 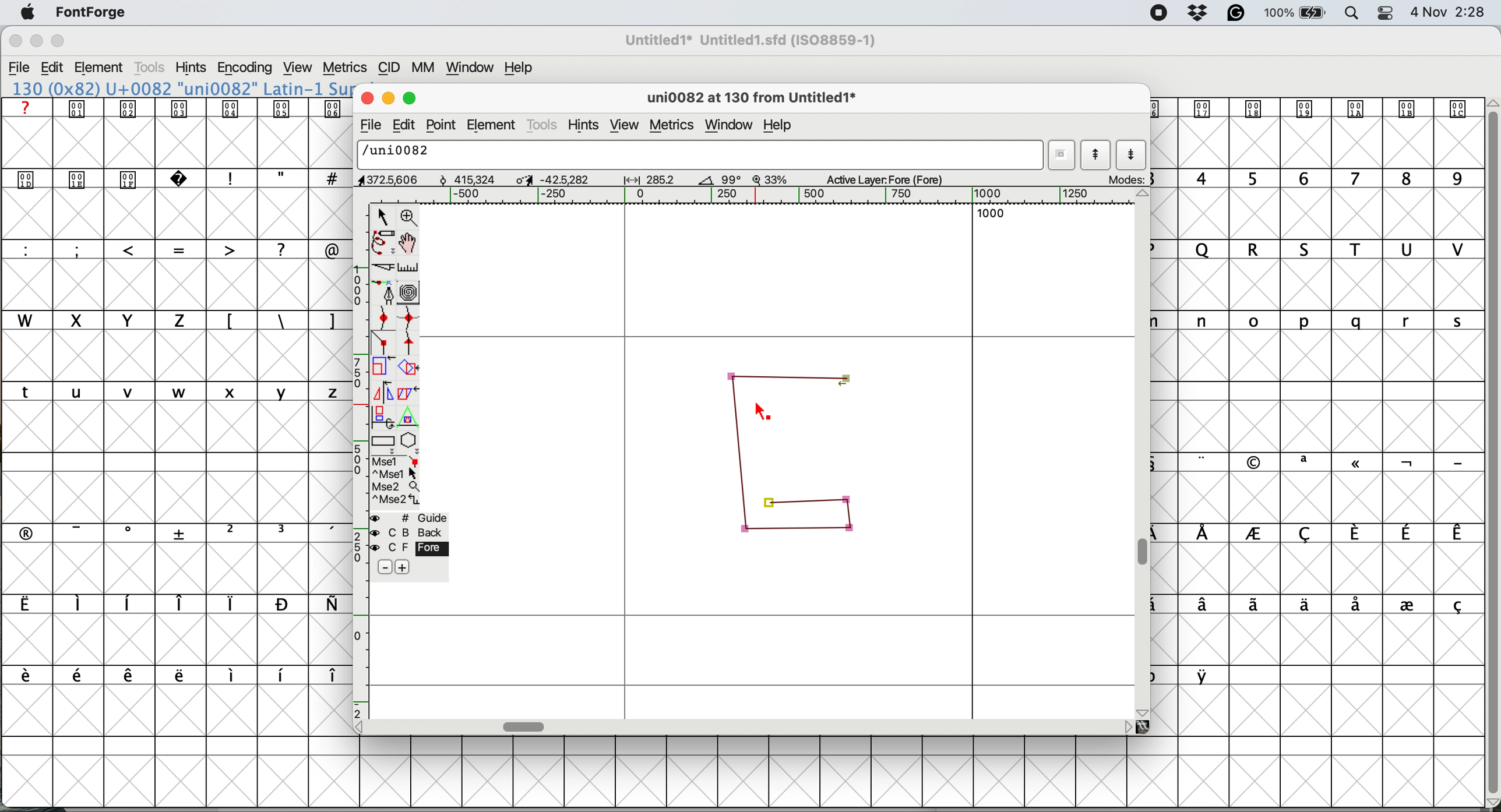 I want to click on vertical scroll bar, so click(x=1146, y=553).